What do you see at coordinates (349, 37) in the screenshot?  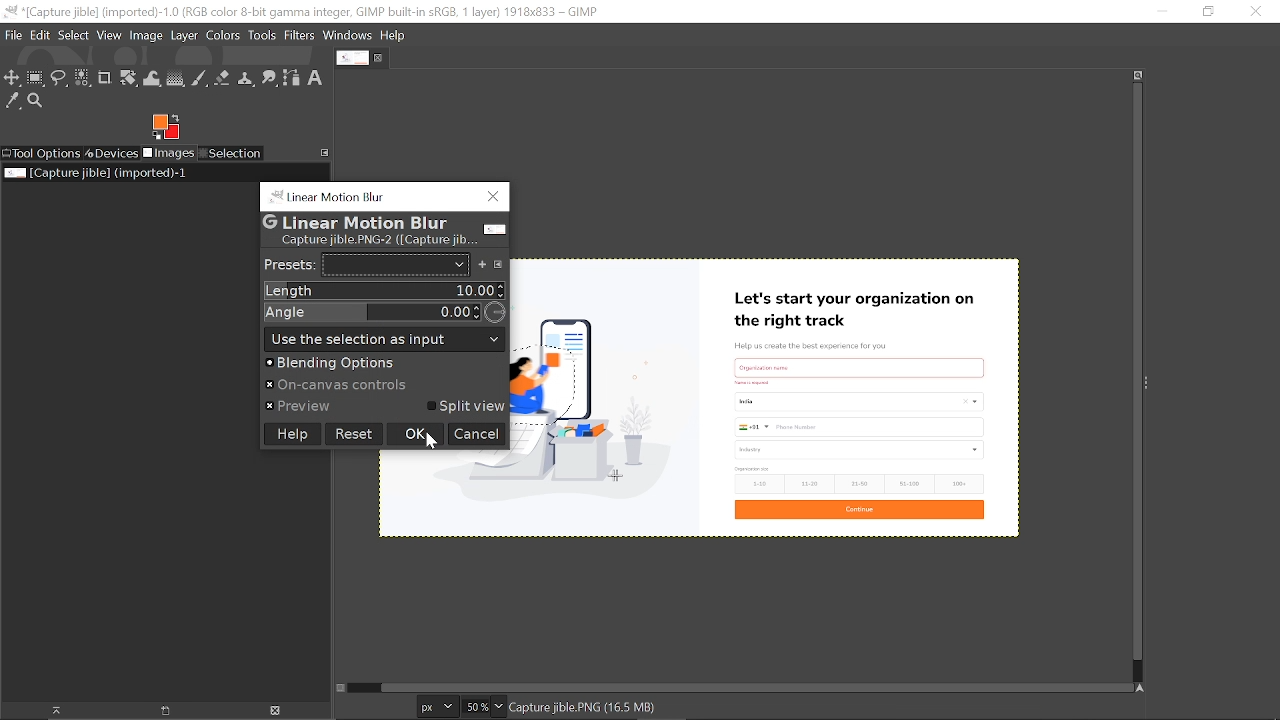 I see `Windows` at bounding box center [349, 37].